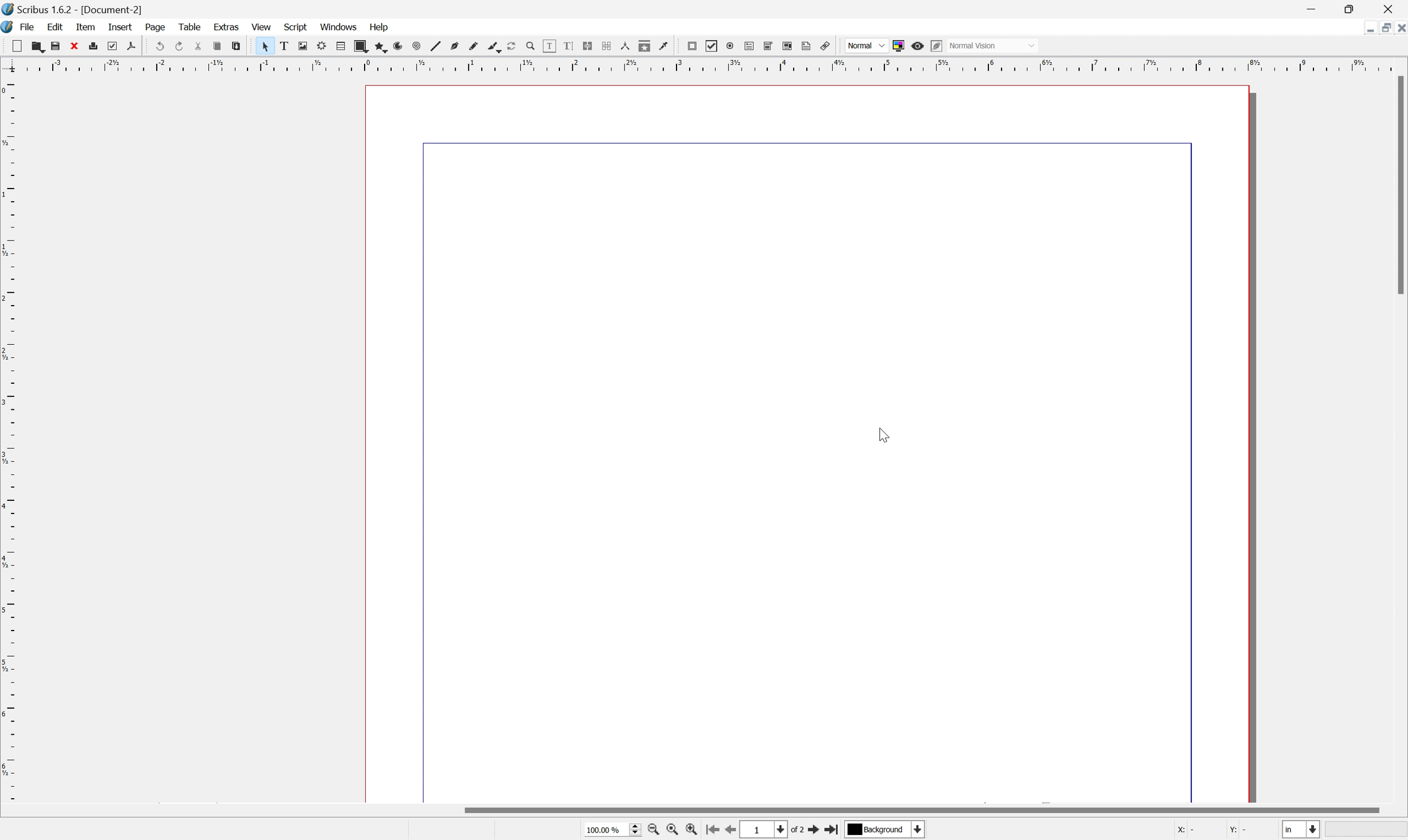 The width and height of the screenshot is (1408, 840). I want to click on Cut, so click(201, 46).